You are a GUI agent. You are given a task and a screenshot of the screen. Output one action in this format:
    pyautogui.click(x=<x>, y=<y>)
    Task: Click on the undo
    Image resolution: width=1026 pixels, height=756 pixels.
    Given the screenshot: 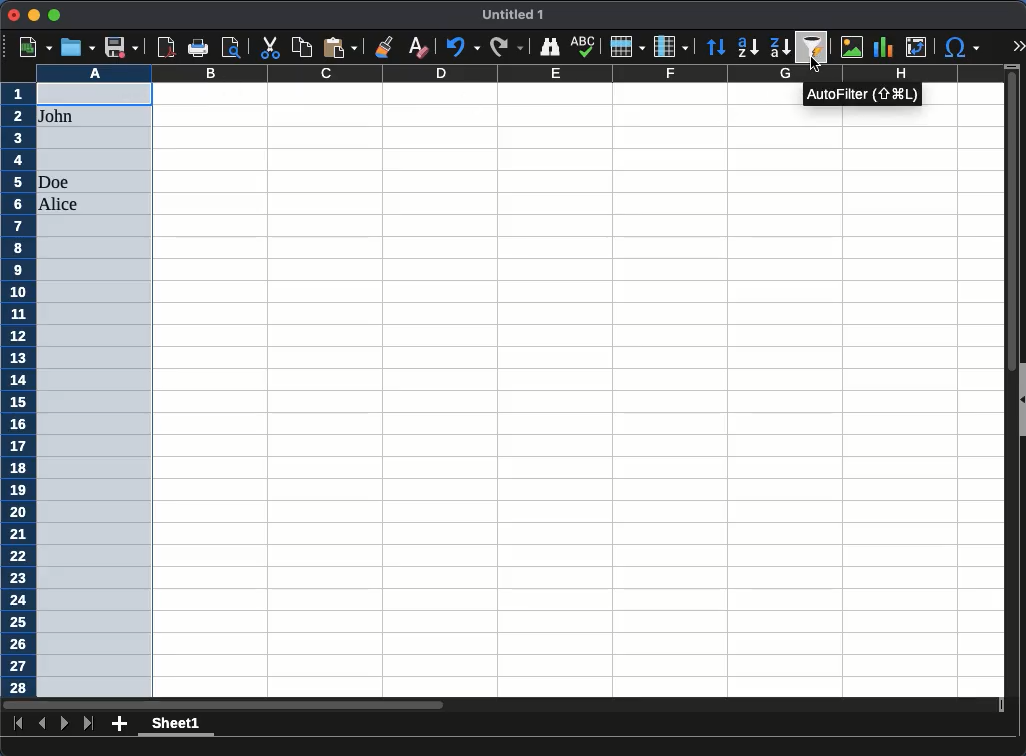 What is the action you would take?
    pyautogui.click(x=461, y=48)
    